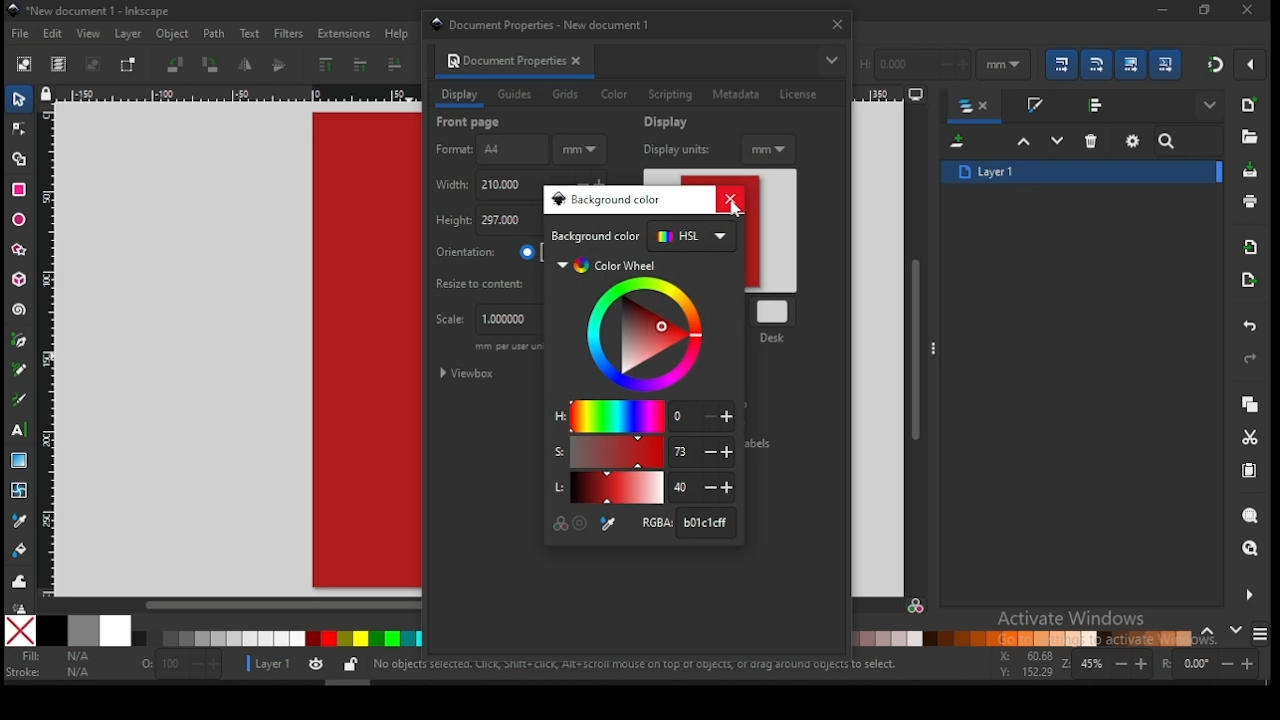  What do you see at coordinates (1214, 664) in the screenshot?
I see `rotation` at bounding box center [1214, 664].